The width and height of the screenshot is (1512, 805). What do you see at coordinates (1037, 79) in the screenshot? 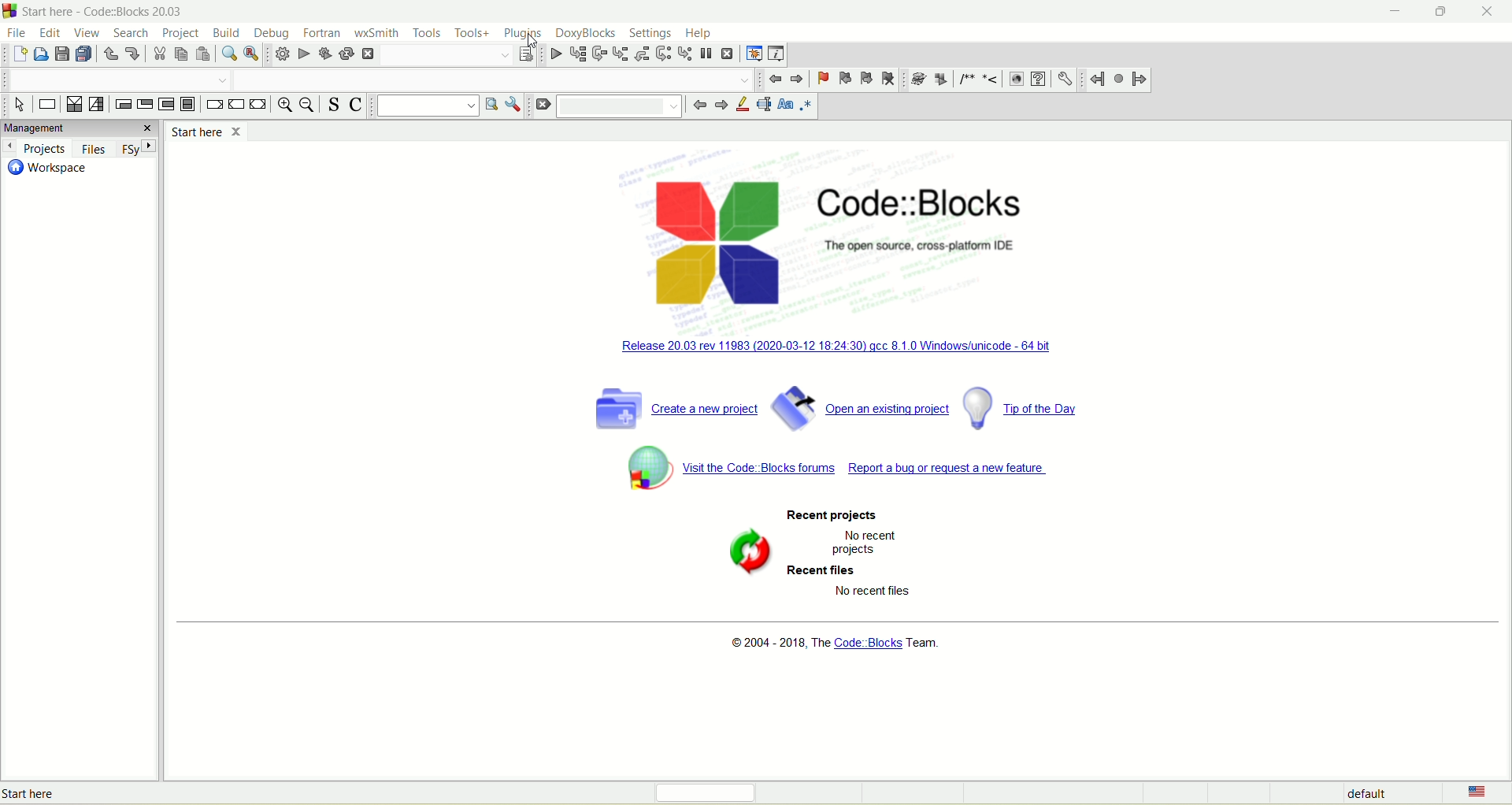
I see `help` at bounding box center [1037, 79].